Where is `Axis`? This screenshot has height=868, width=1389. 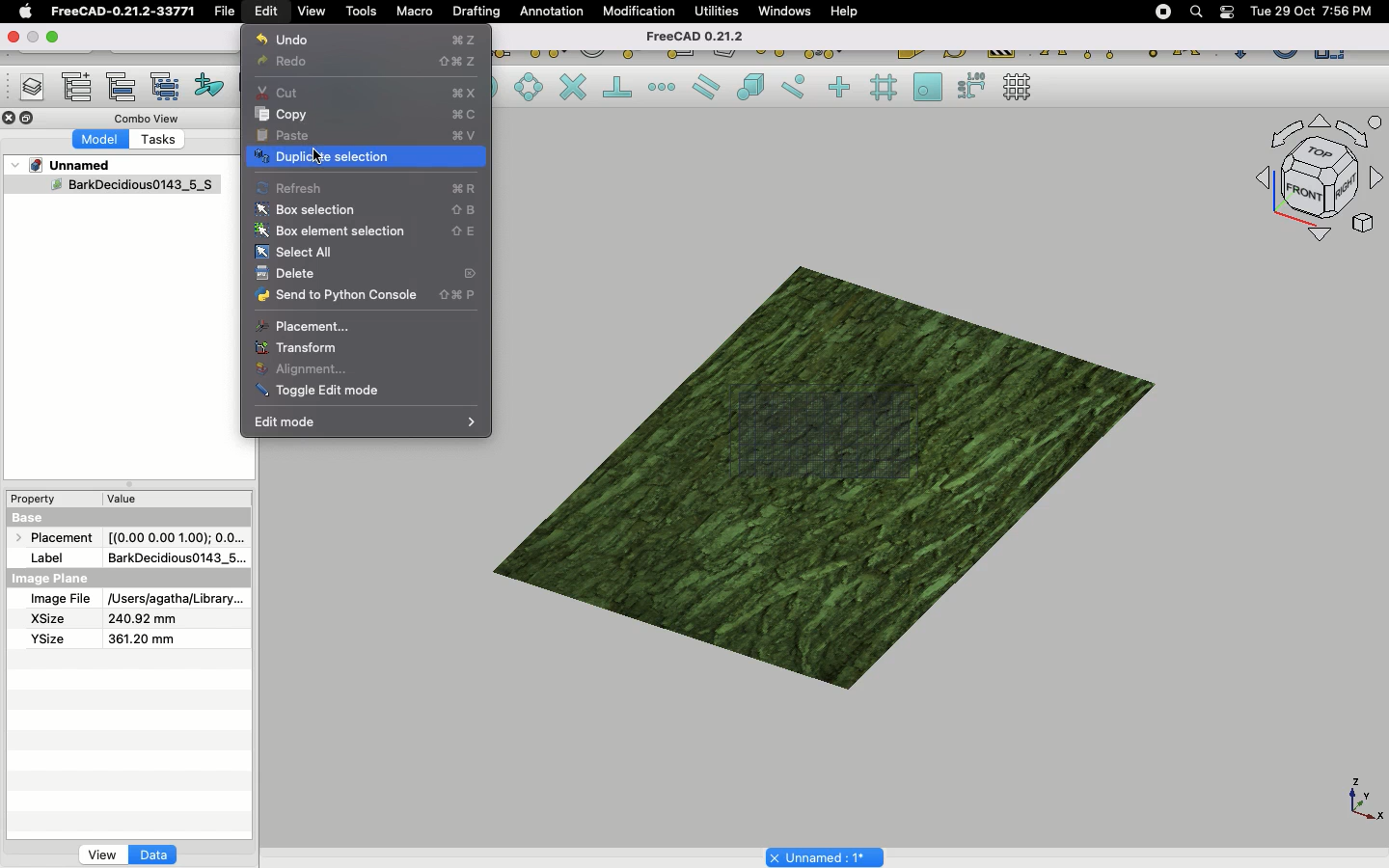 Axis is located at coordinates (1361, 798).